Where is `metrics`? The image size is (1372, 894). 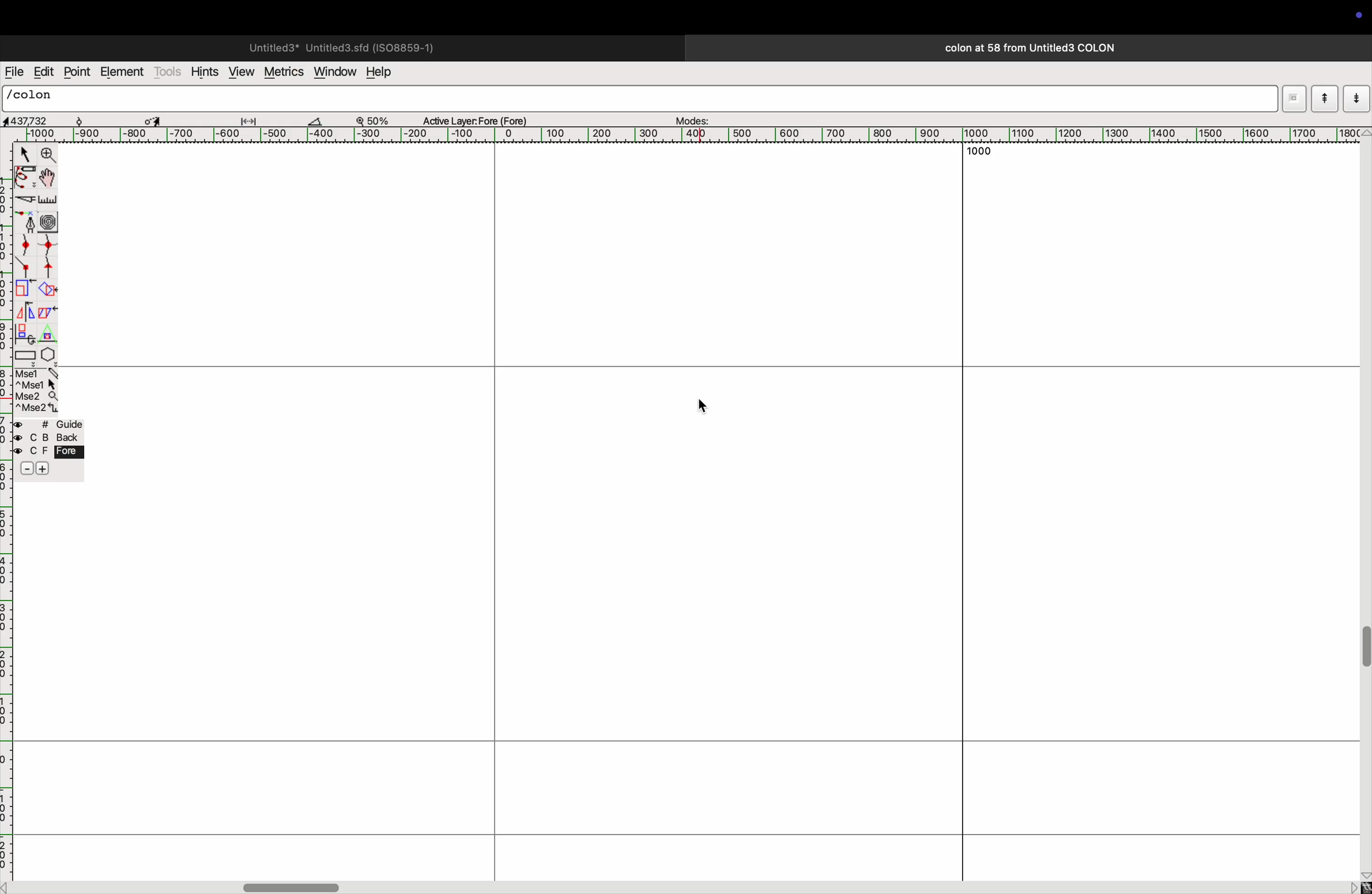
metrics is located at coordinates (282, 72).